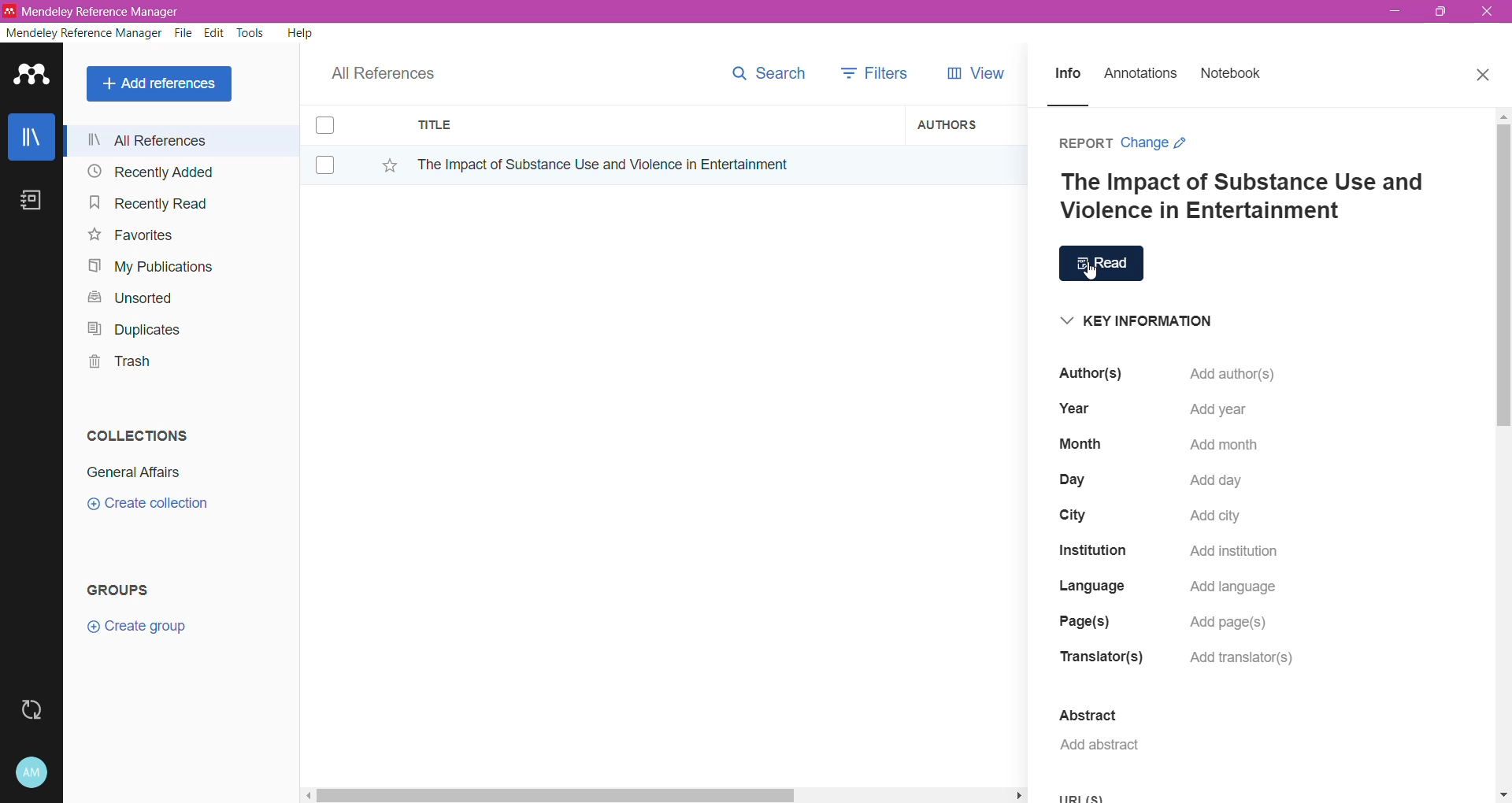 This screenshot has height=803, width=1512. What do you see at coordinates (148, 505) in the screenshot?
I see `Click to Create Collection` at bounding box center [148, 505].